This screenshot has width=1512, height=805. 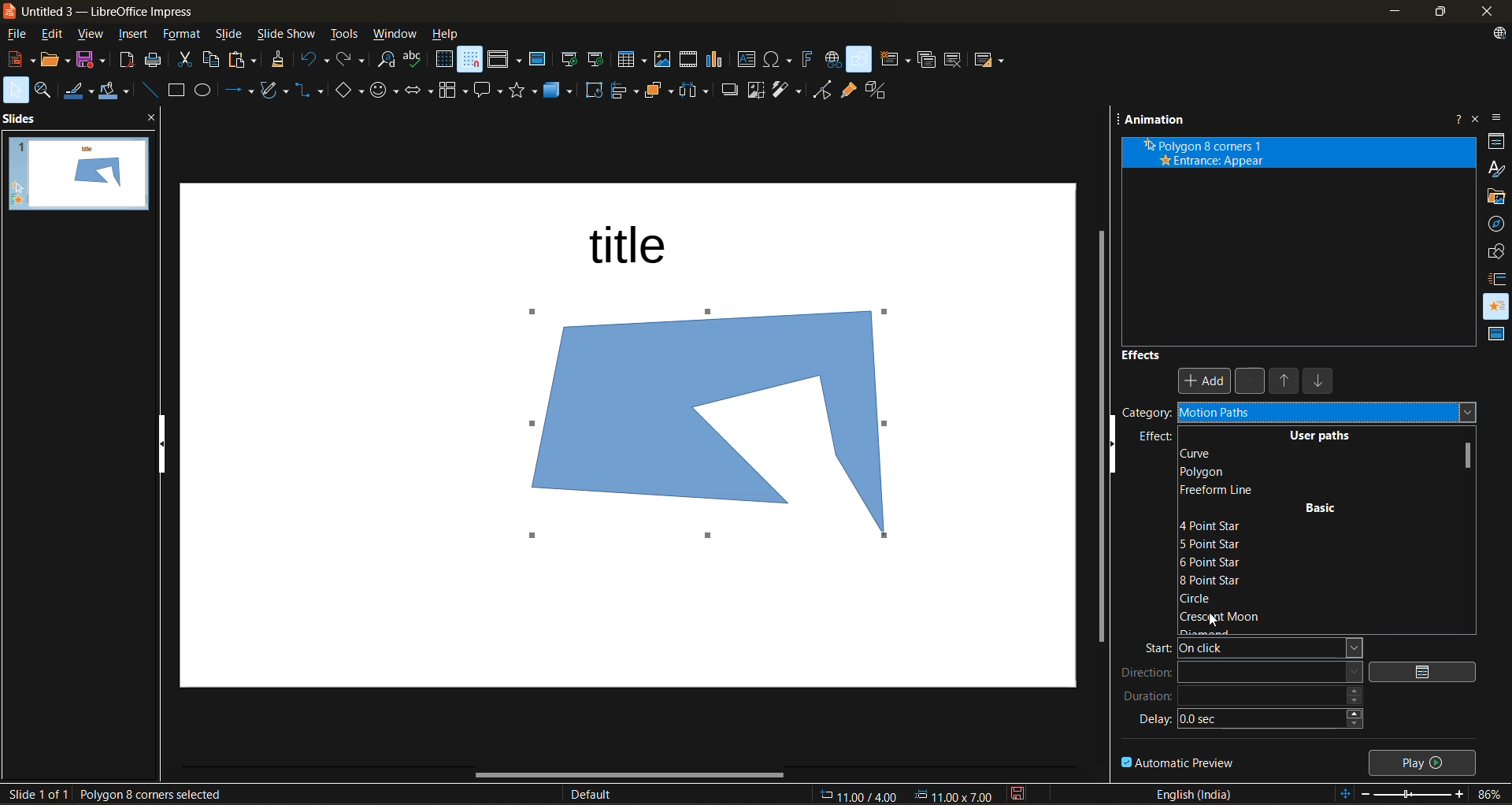 I want to click on shadow, so click(x=731, y=90).